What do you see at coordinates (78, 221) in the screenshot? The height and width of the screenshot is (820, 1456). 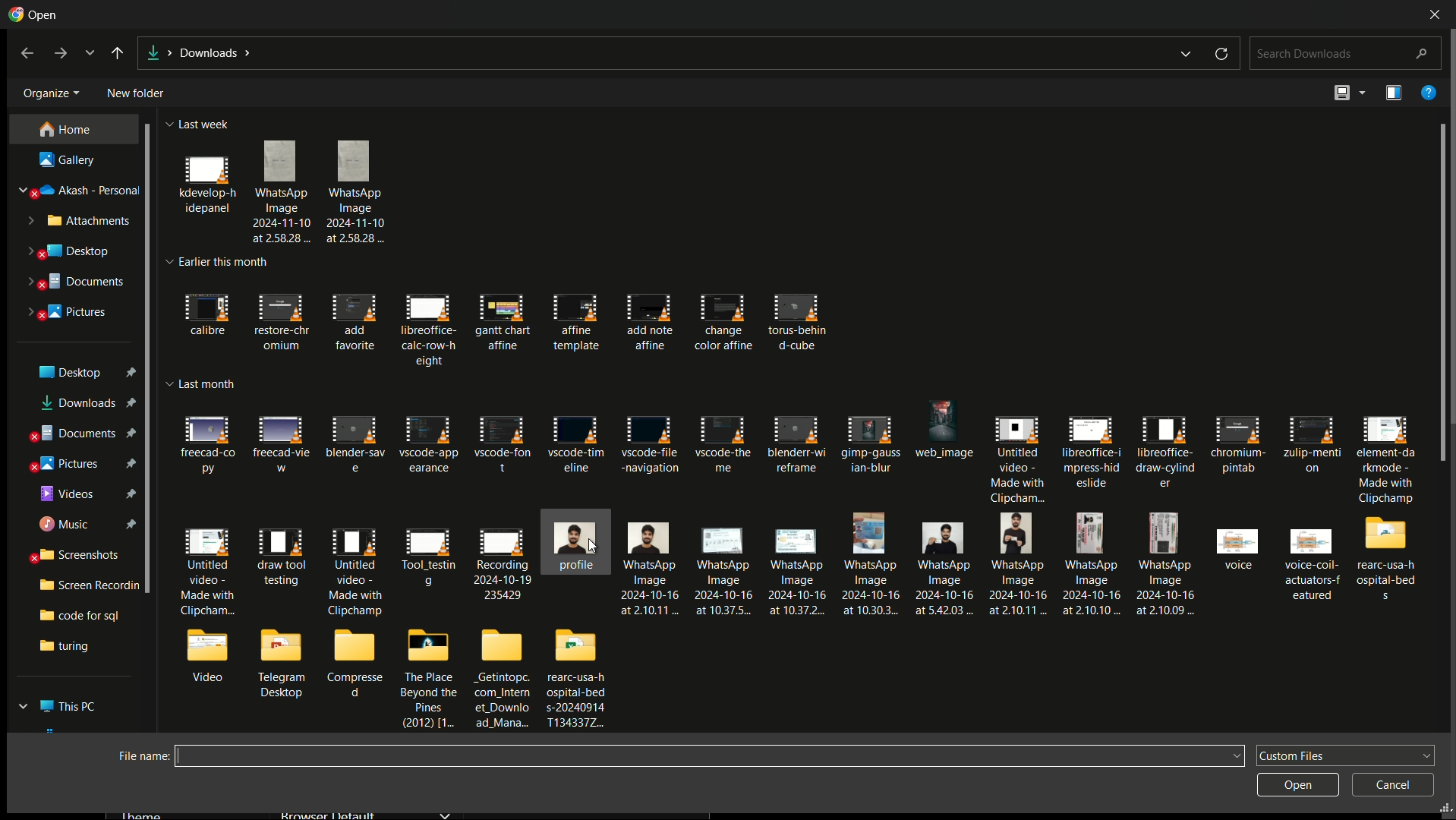 I see `attachments` at bounding box center [78, 221].